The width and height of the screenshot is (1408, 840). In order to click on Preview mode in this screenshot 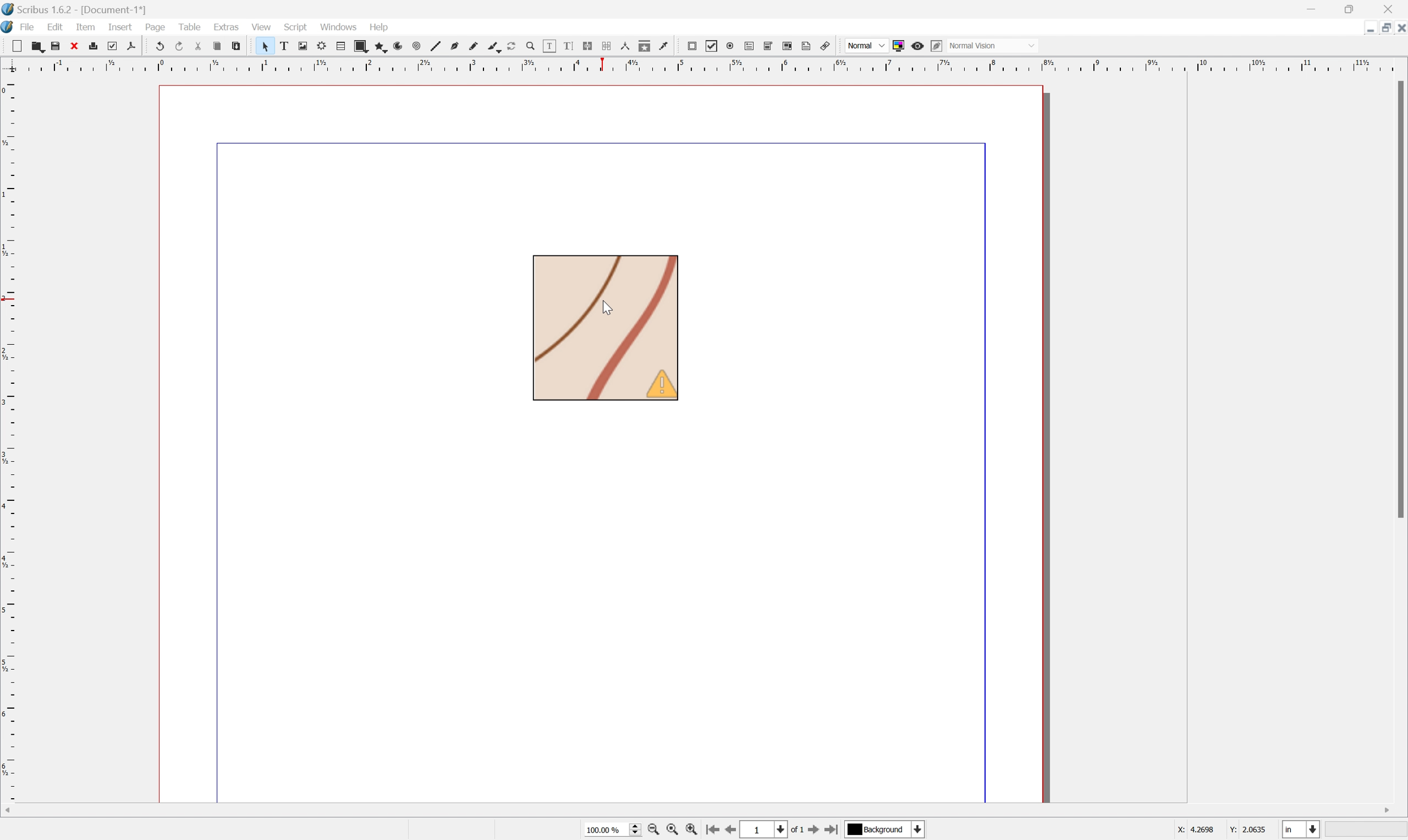, I will do `click(920, 48)`.